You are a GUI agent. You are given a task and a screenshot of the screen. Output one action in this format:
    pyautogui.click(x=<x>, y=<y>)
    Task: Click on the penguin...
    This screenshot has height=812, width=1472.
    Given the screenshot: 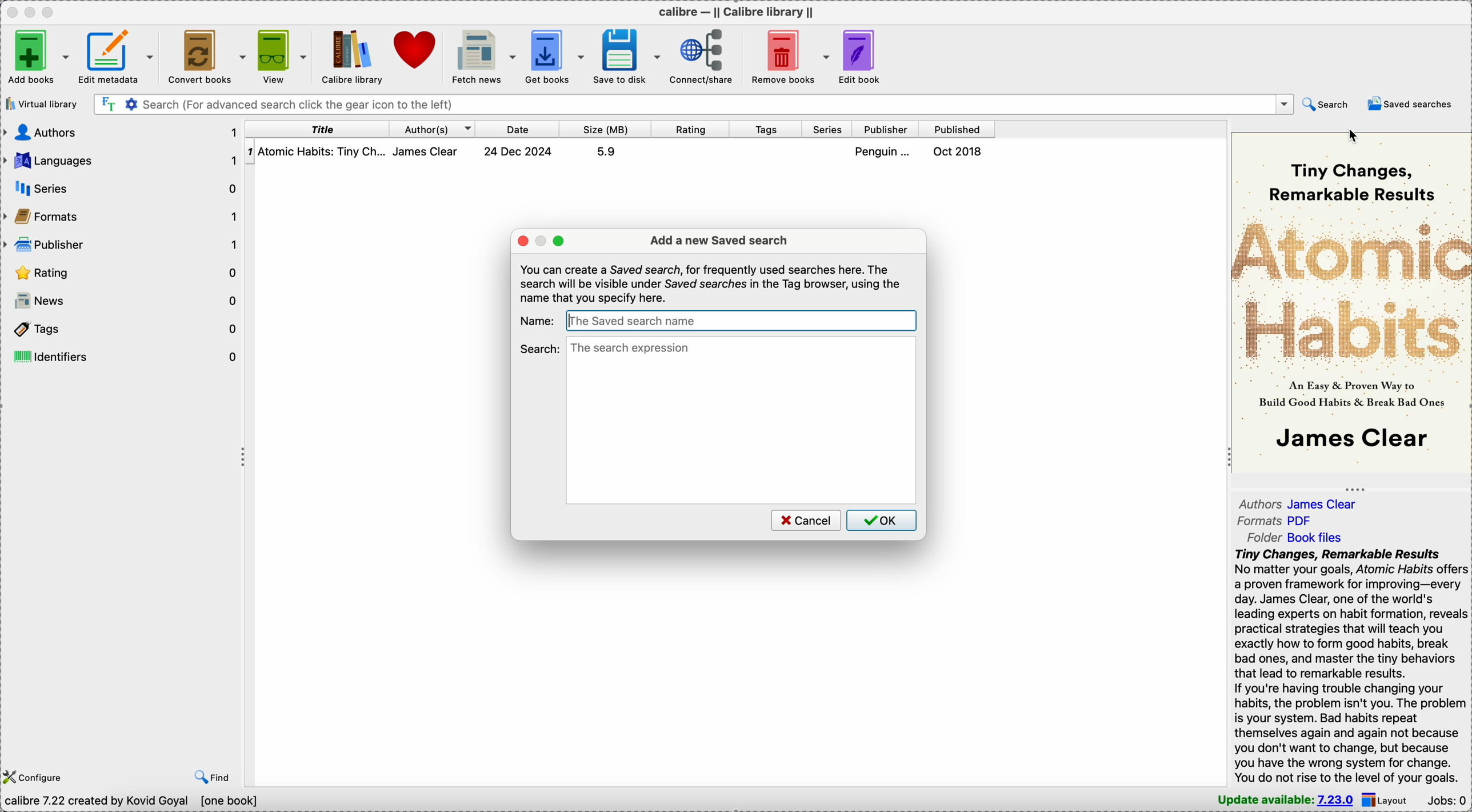 What is the action you would take?
    pyautogui.click(x=885, y=151)
    